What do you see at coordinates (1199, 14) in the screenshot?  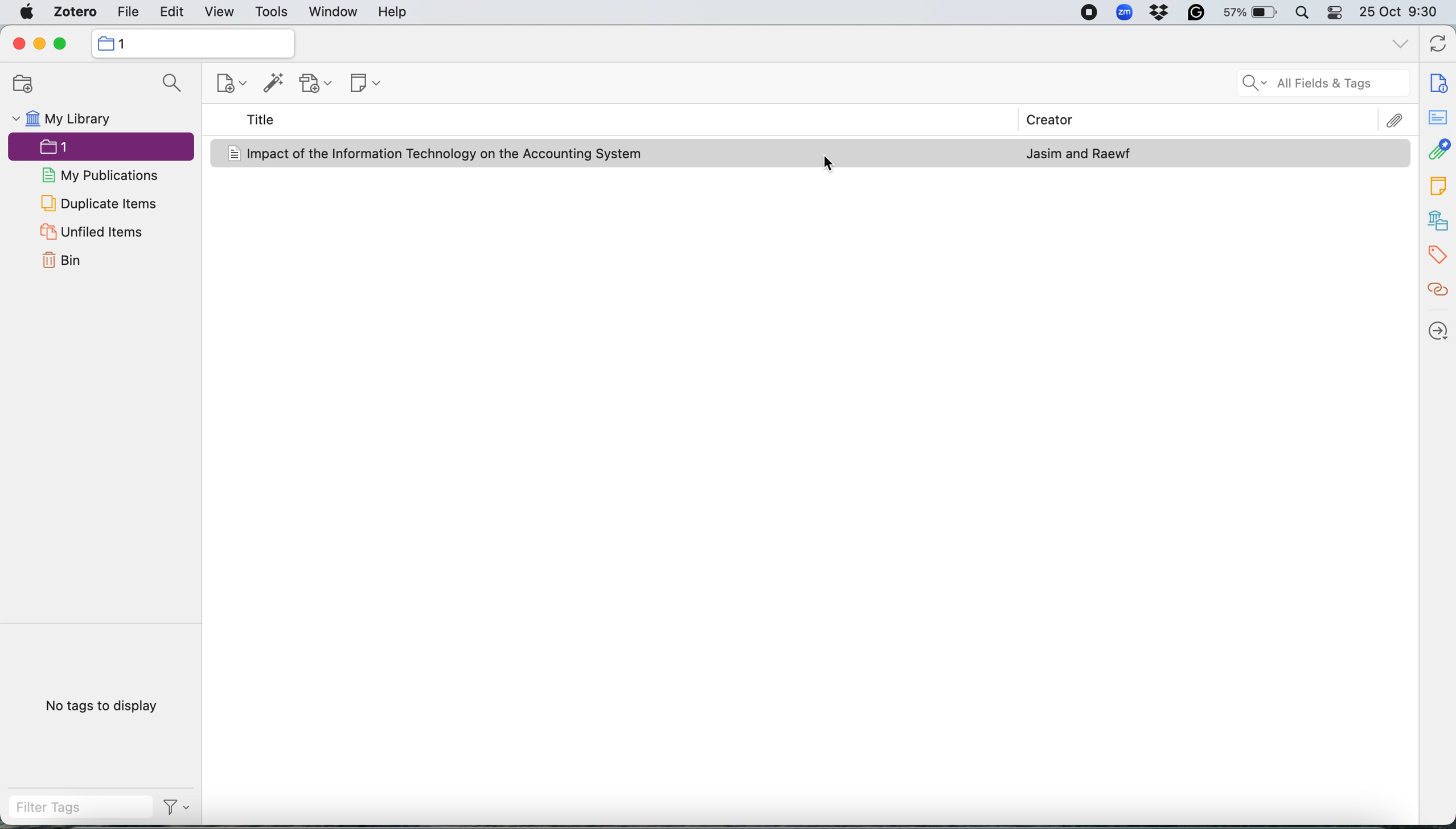 I see `grammarly` at bounding box center [1199, 14].